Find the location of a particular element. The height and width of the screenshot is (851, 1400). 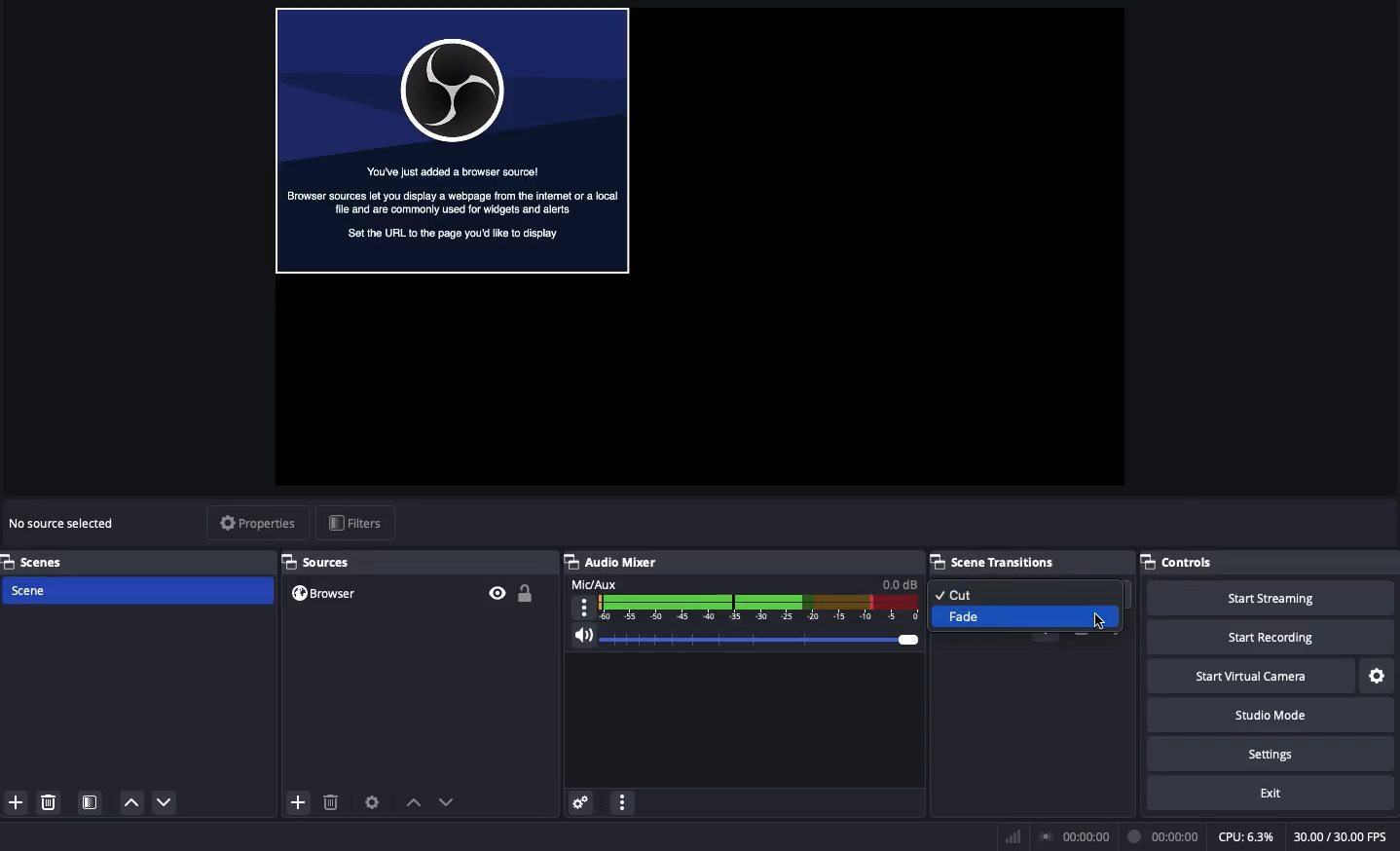

broadcast is located at coordinates (1075, 833).